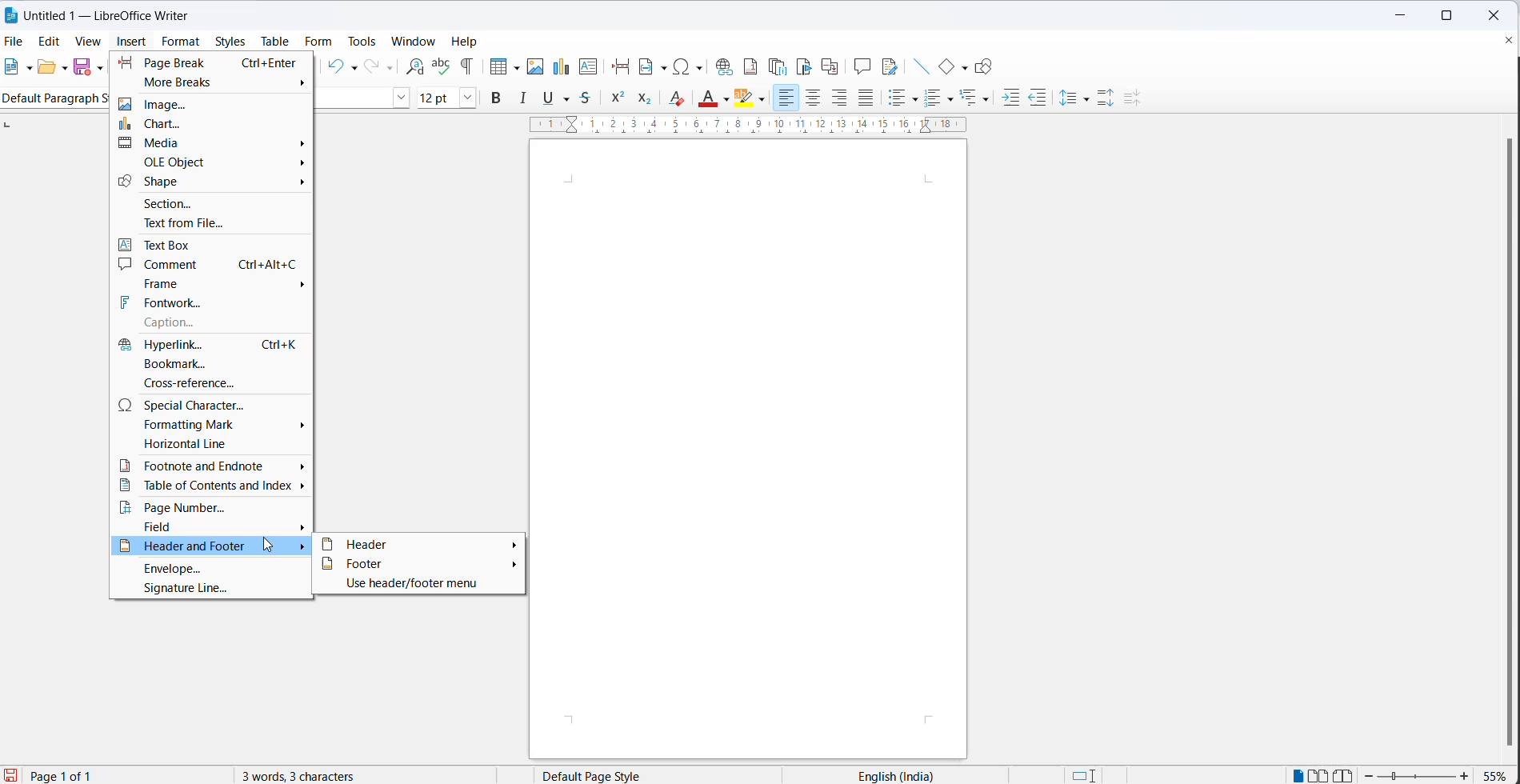  I want to click on font color options, so click(726, 98).